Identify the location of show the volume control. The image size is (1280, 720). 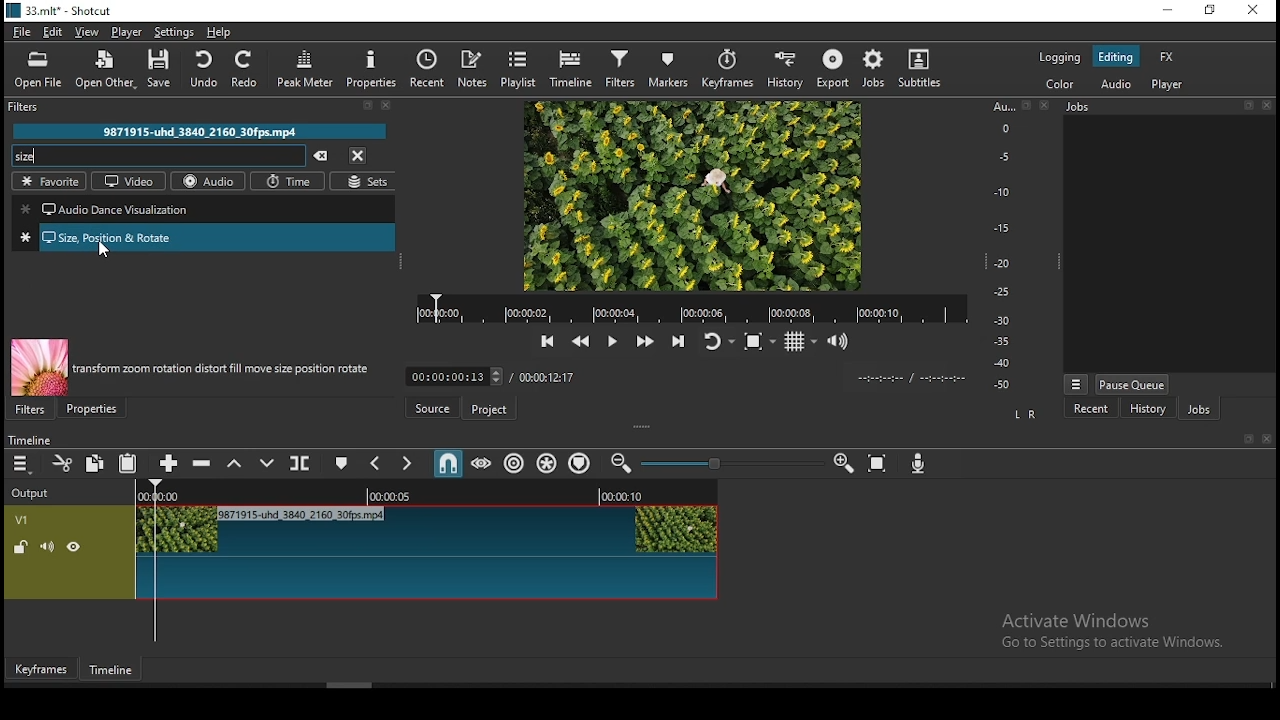
(839, 342).